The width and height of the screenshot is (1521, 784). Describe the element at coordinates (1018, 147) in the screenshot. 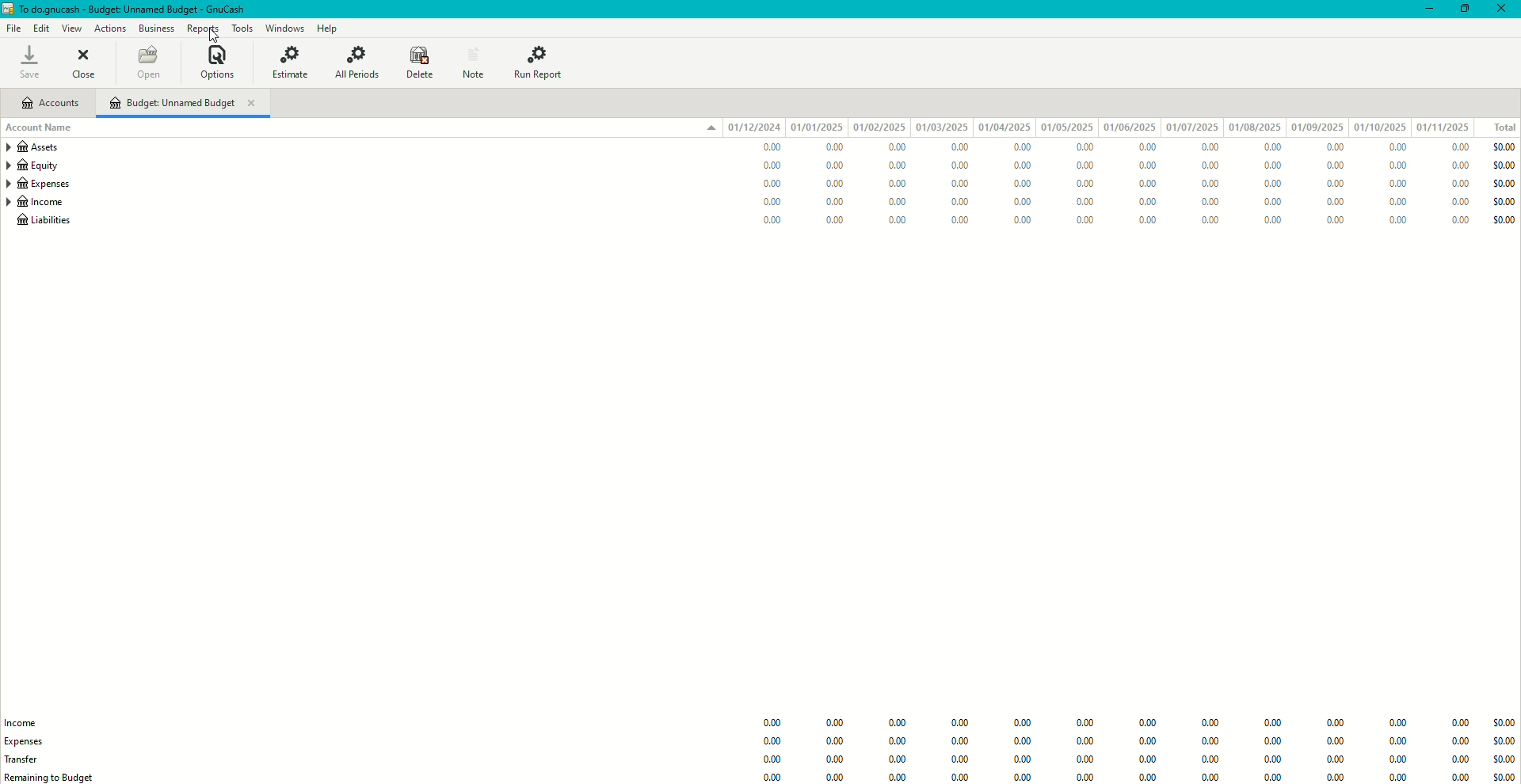

I see `0.00` at that location.